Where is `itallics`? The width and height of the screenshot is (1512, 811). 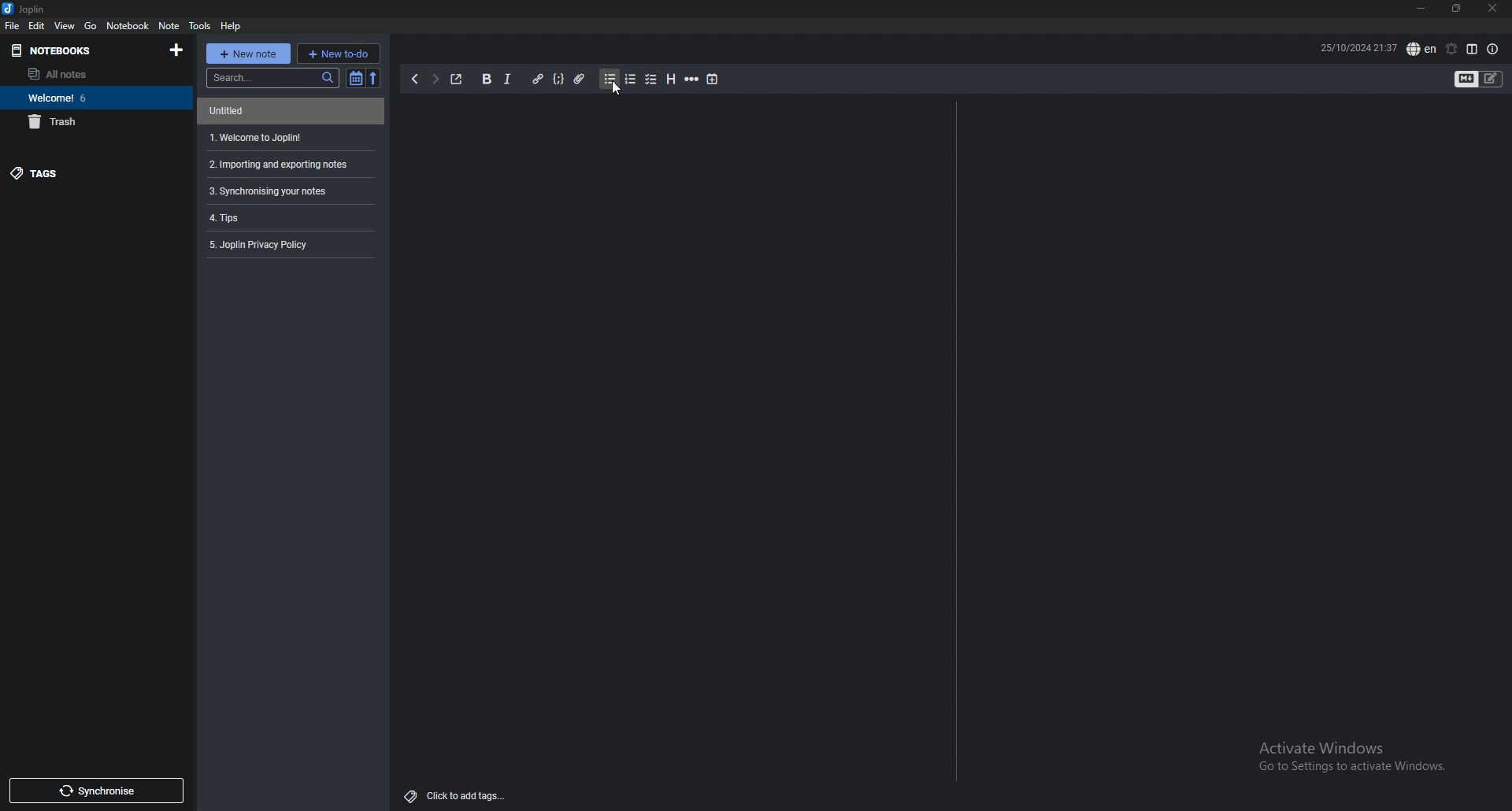 itallics is located at coordinates (510, 79).